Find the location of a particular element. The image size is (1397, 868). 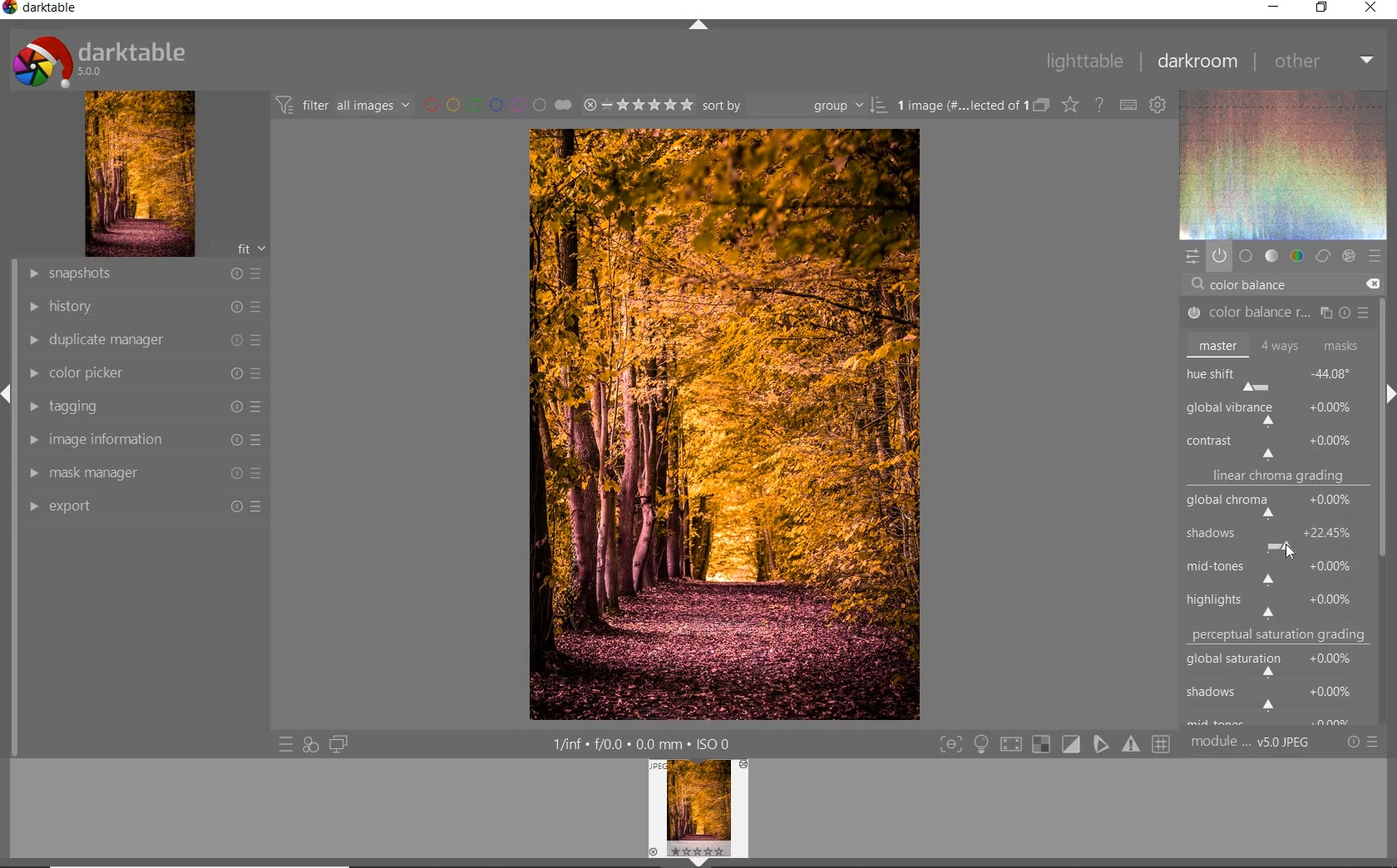

reset or preset & preference is located at coordinates (1361, 742).